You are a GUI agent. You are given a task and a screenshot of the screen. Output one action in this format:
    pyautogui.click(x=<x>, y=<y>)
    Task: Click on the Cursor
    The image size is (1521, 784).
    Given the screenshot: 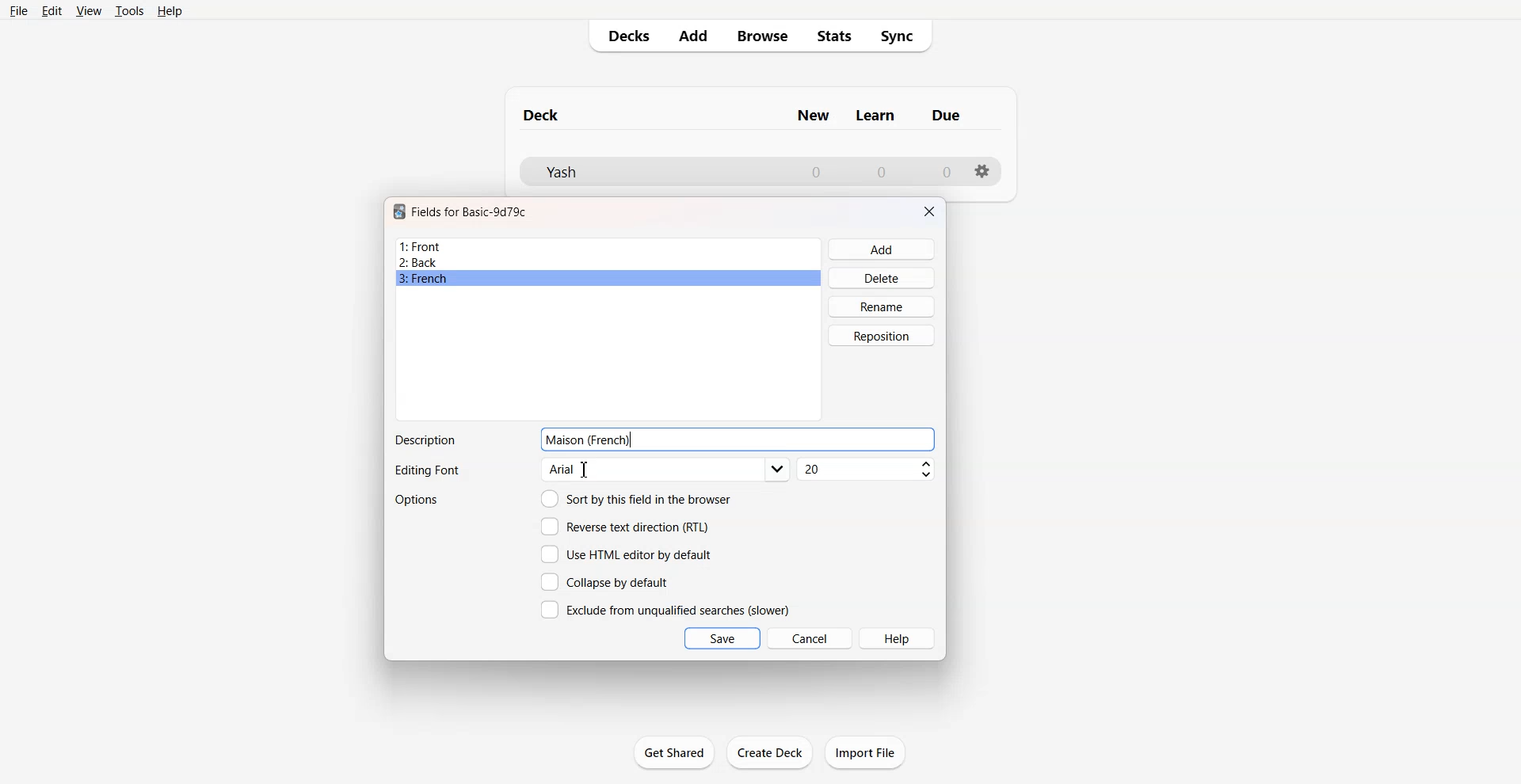 What is the action you would take?
    pyautogui.click(x=585, y=470)
    